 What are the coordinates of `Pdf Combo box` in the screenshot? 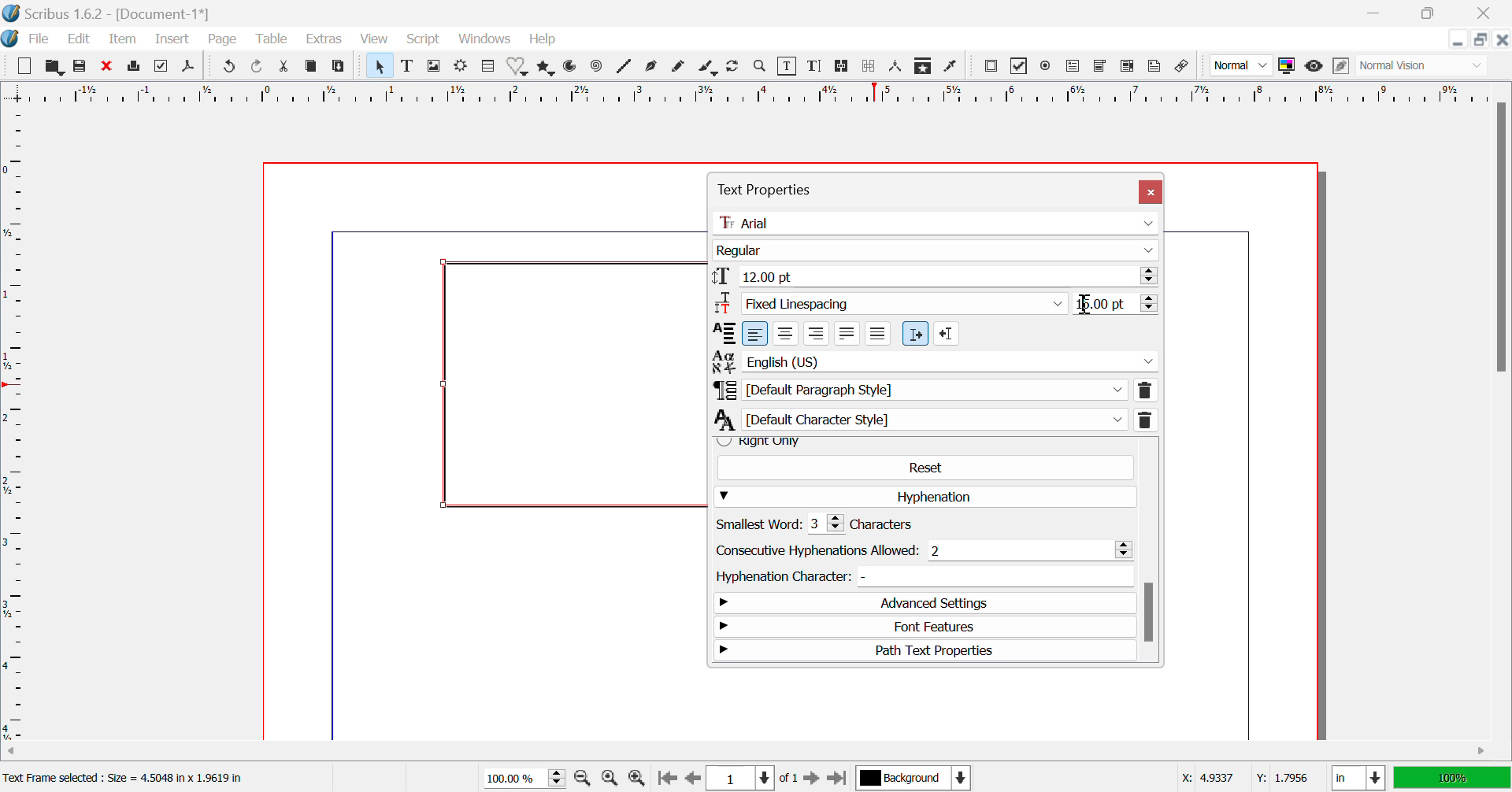 It's located at (1101, 68).